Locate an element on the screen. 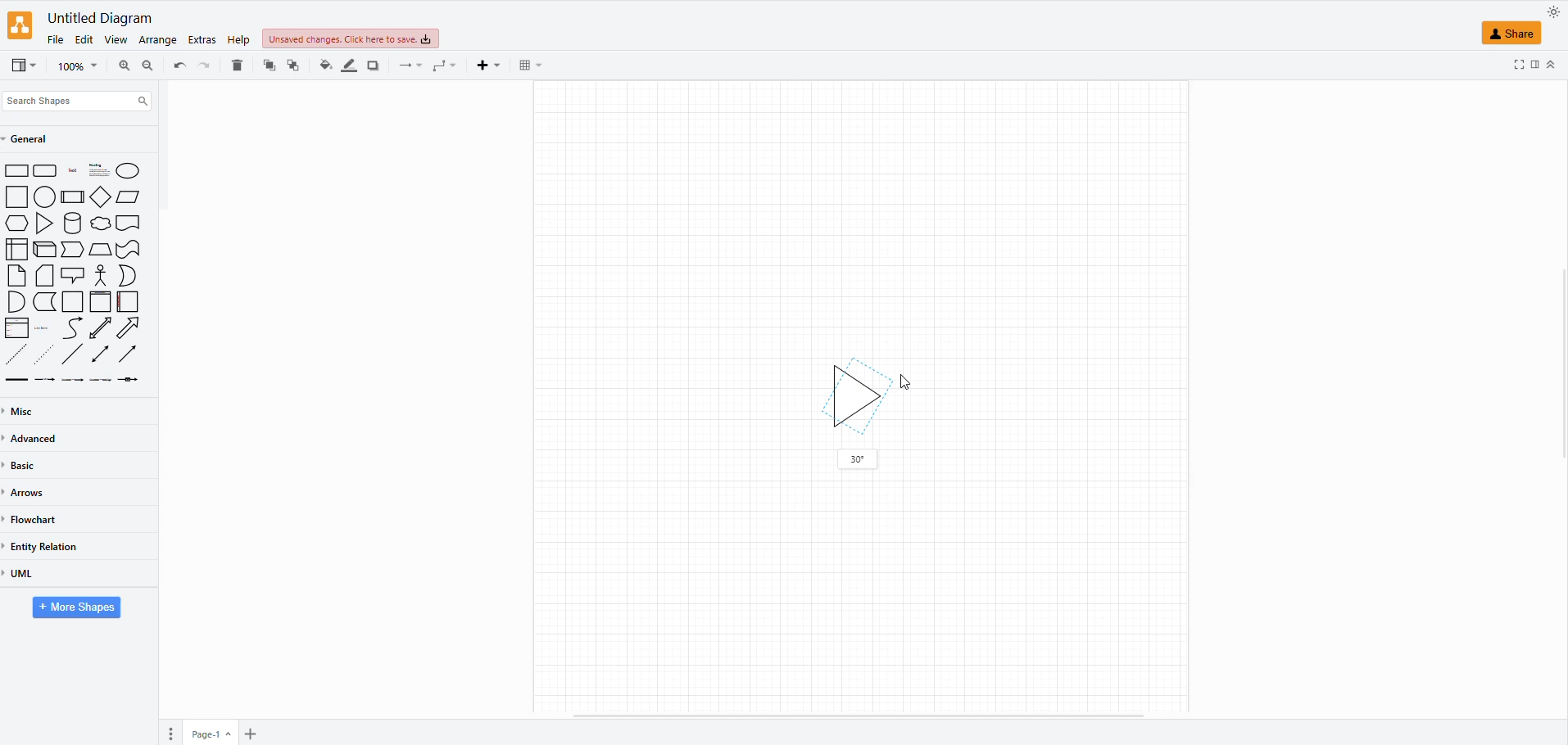 The image size is (1568, 745). Line is located at coordinates (74, 354).